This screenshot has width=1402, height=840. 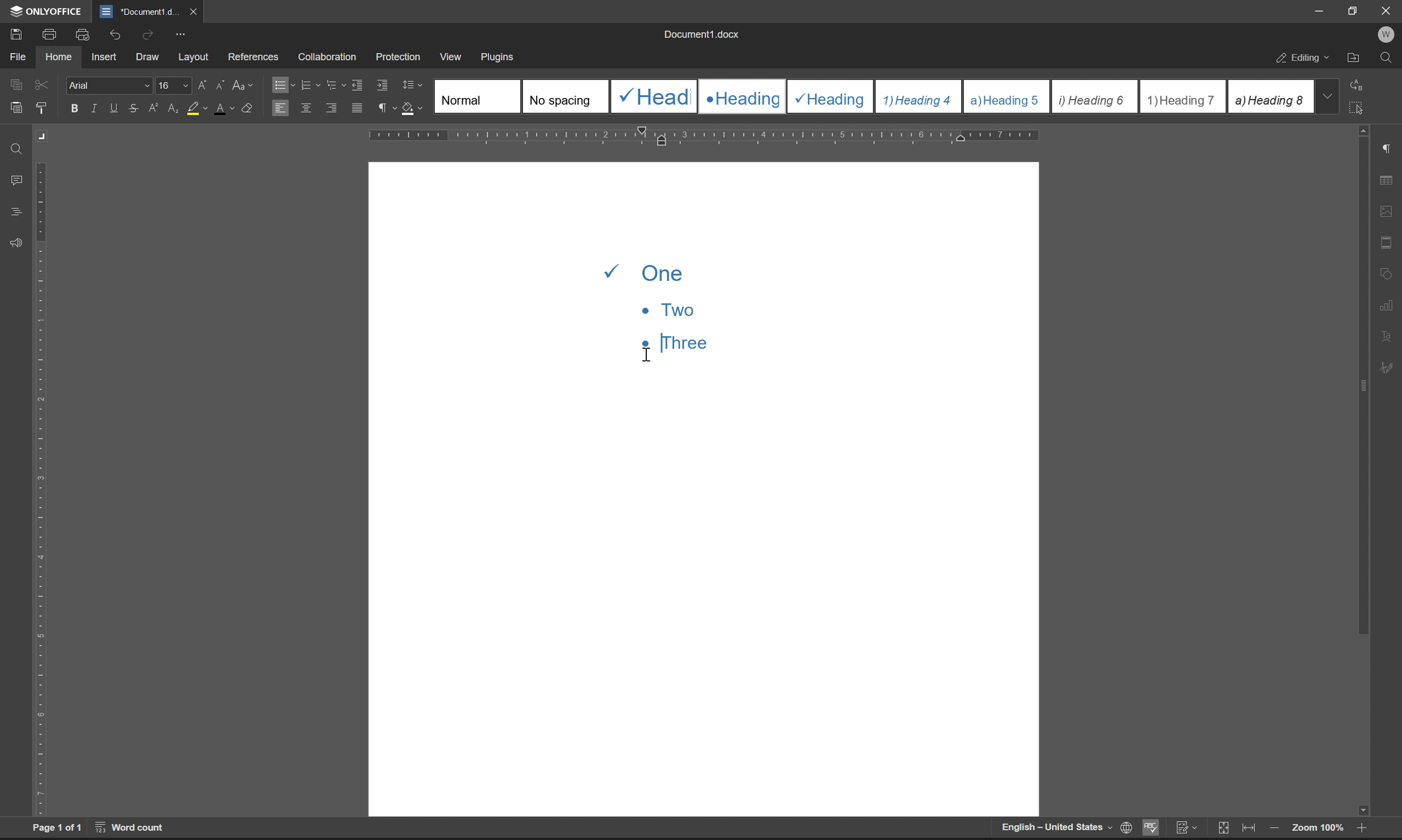 I want to click on Margin, so click(x=44, y=136).